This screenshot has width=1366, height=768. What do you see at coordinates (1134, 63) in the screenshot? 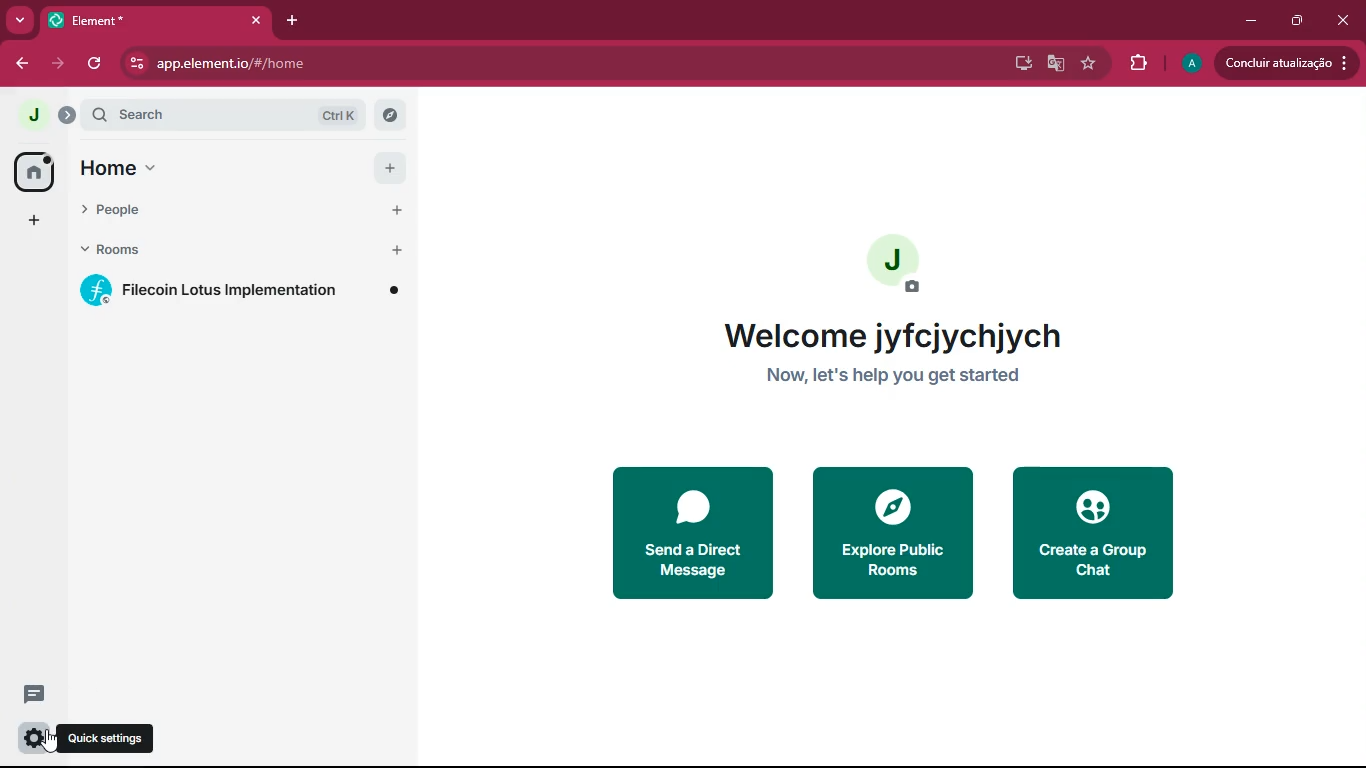
I see `extensions` at bounding box center [1134, 63].